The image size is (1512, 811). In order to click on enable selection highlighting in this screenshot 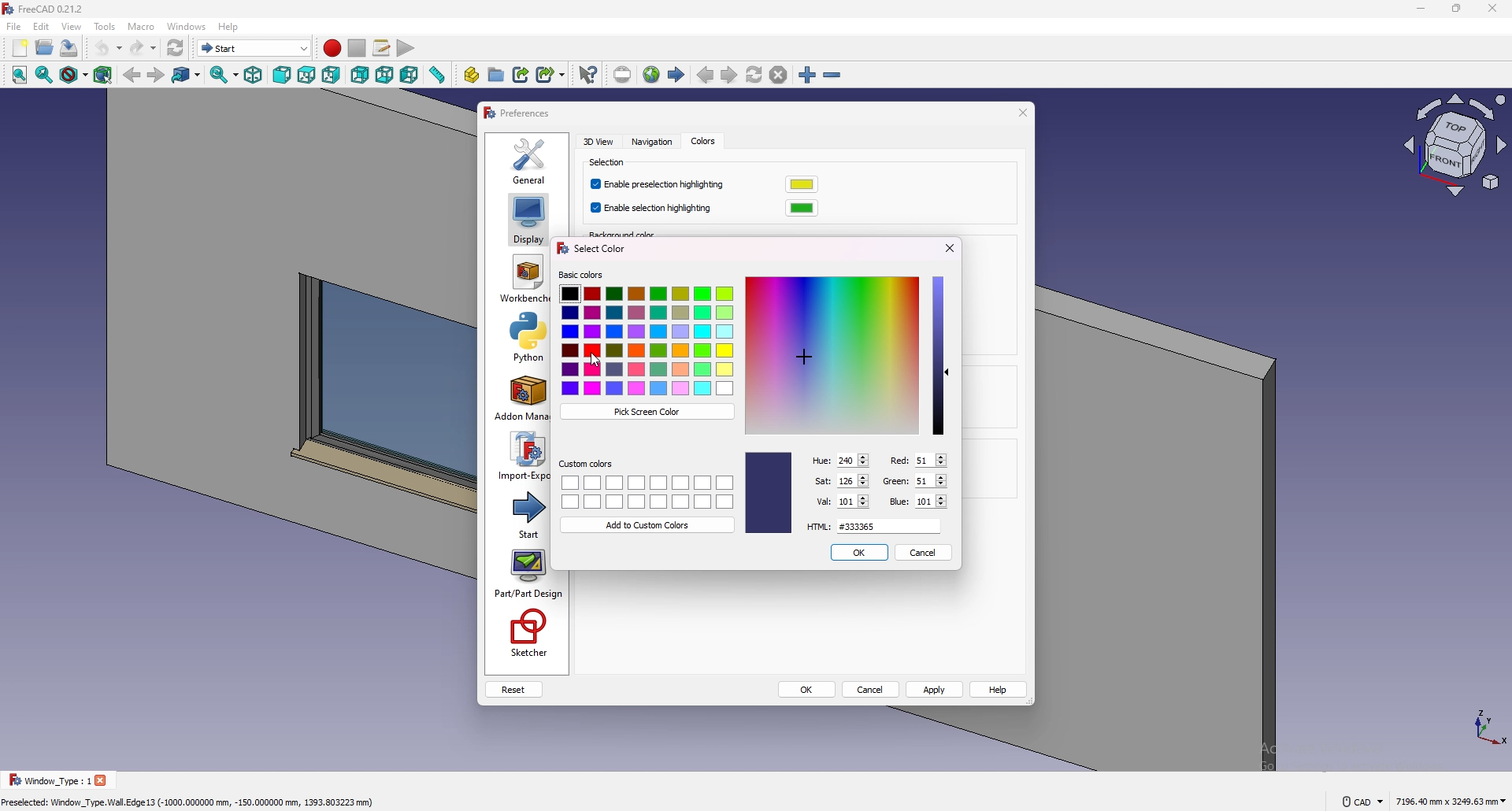, I will do `click(654, 209)`.